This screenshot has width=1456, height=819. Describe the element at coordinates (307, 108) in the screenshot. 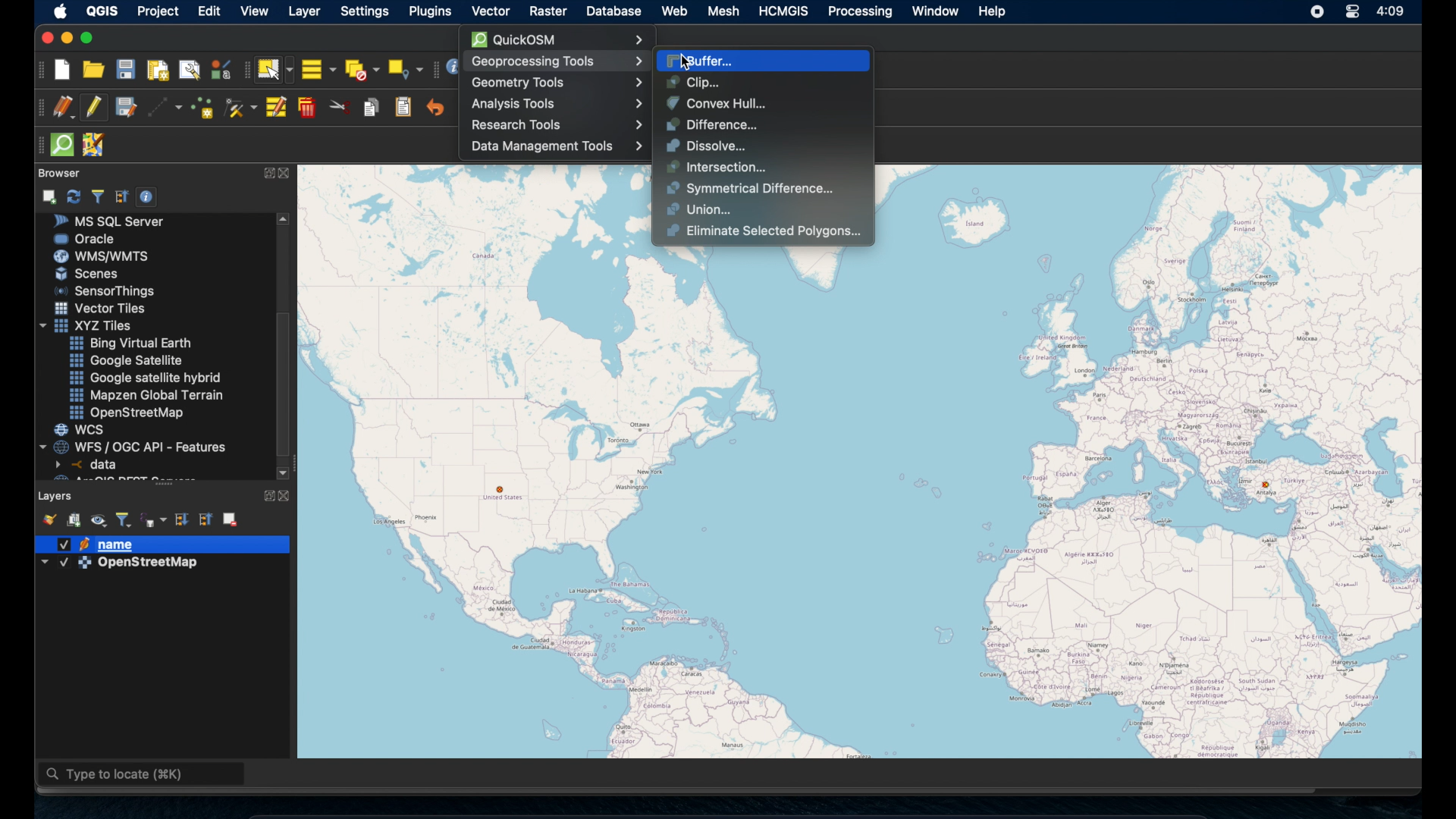

I see `delete select ted` at that location.